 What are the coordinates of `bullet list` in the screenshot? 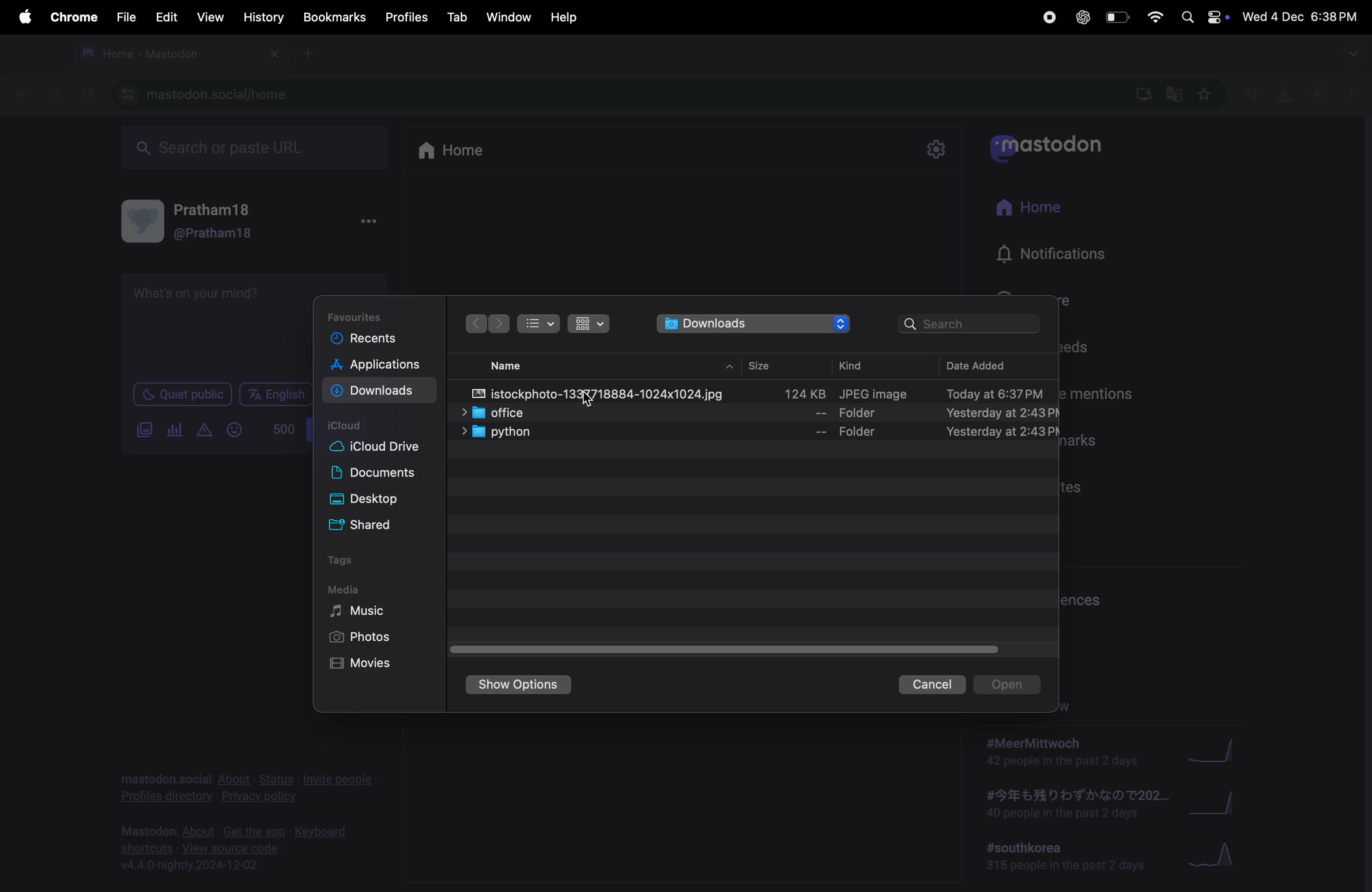 It's located at (539, 324).